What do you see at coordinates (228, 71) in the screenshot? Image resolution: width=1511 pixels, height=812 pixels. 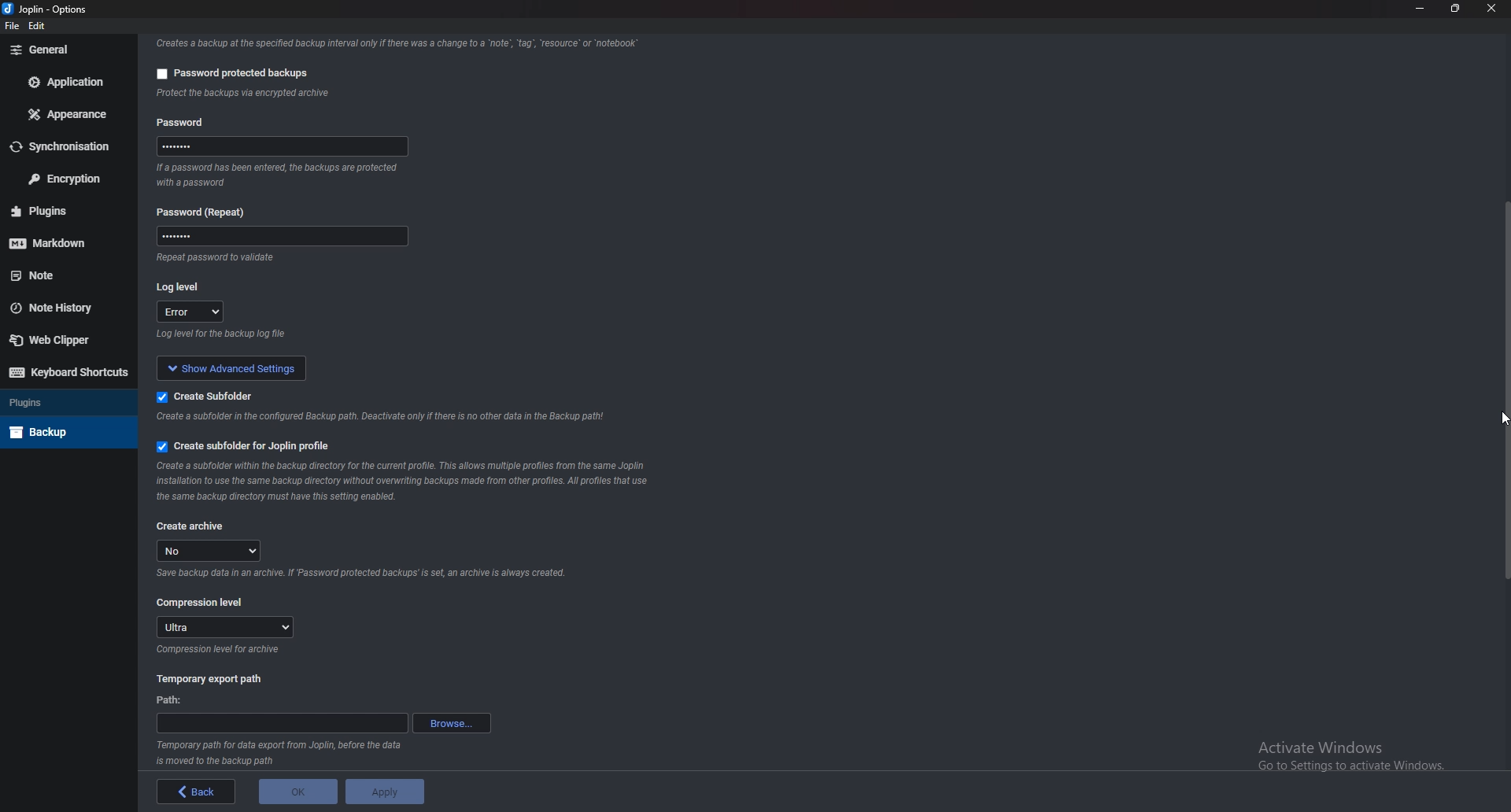 I see `password protected backup` at bounding box center [228, 71].